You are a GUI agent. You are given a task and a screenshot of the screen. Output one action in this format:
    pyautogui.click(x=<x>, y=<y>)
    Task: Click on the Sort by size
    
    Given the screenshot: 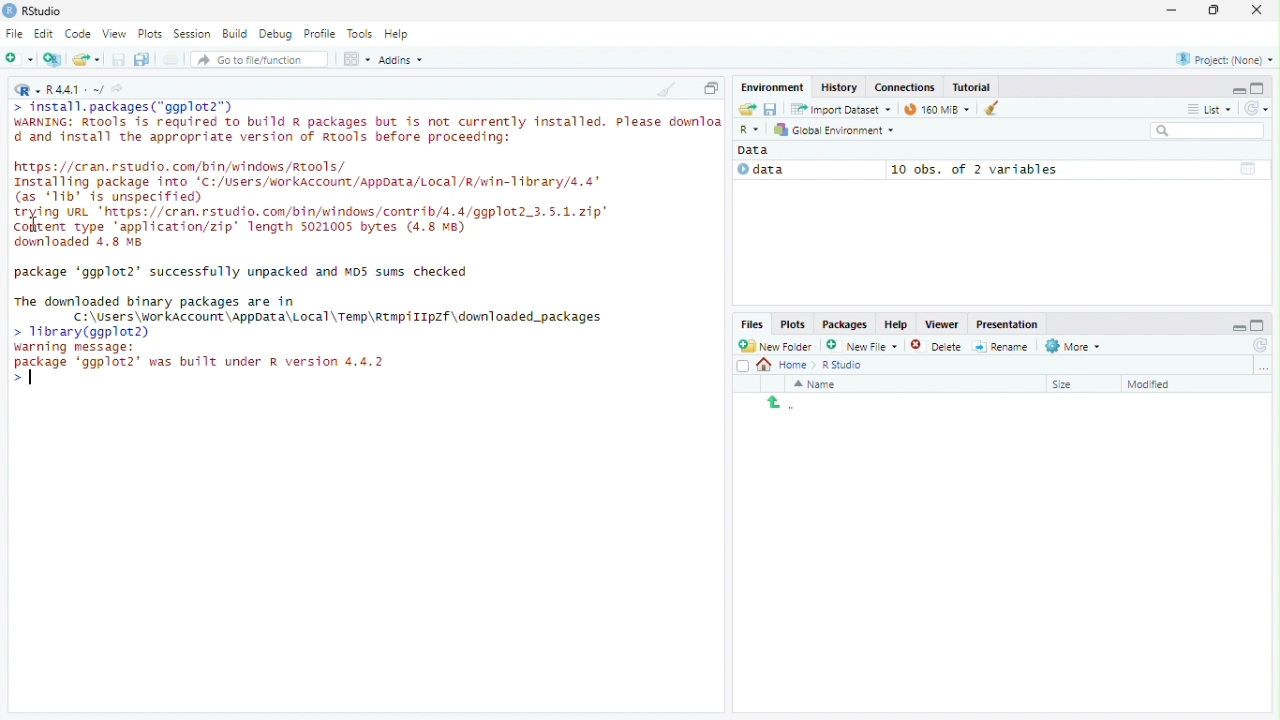 What is the action you would take?
    pyautogui.click(x=1077, y=383)
    